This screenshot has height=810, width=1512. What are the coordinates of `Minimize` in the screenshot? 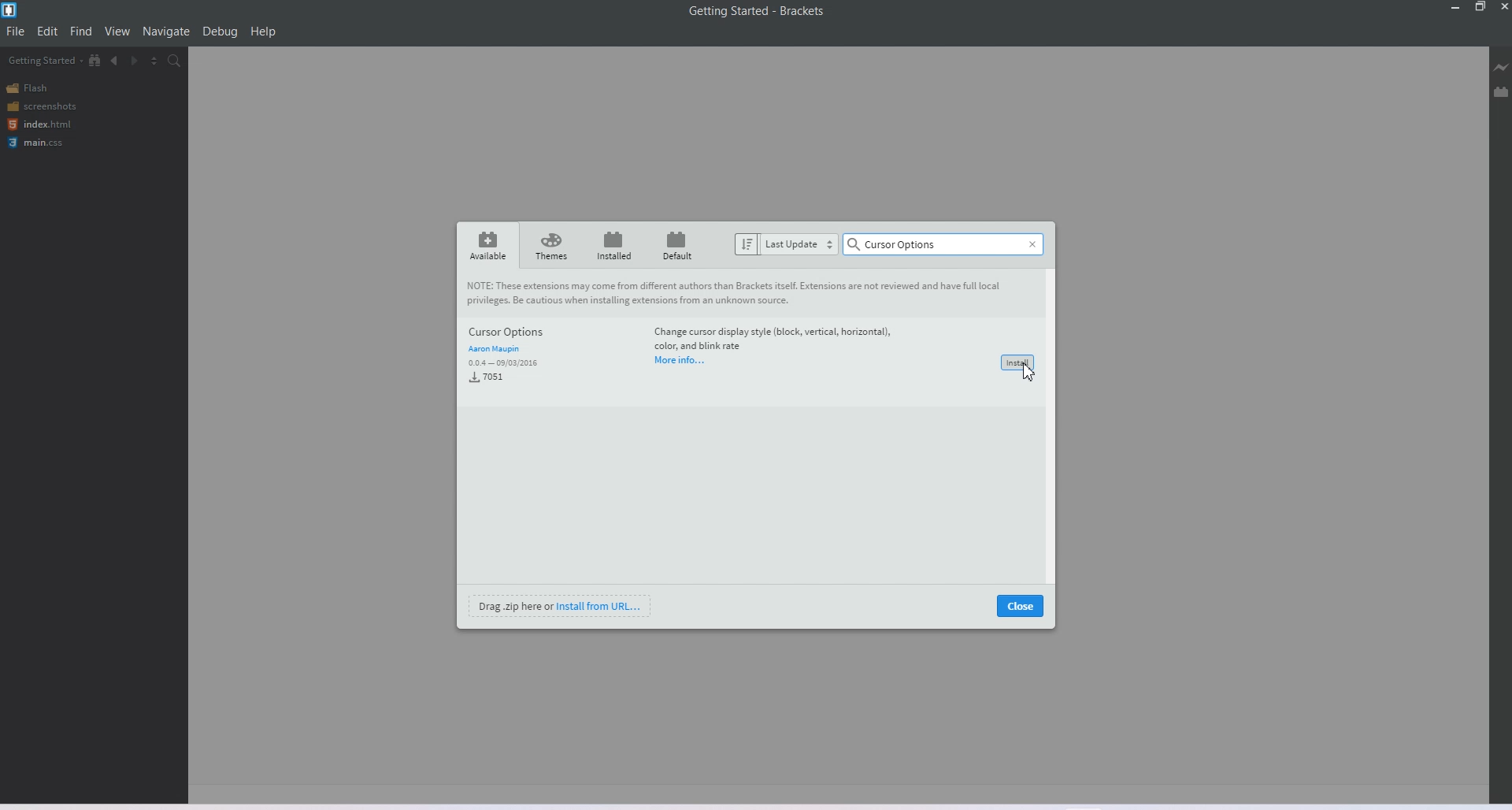 It's located at (1456, 7).